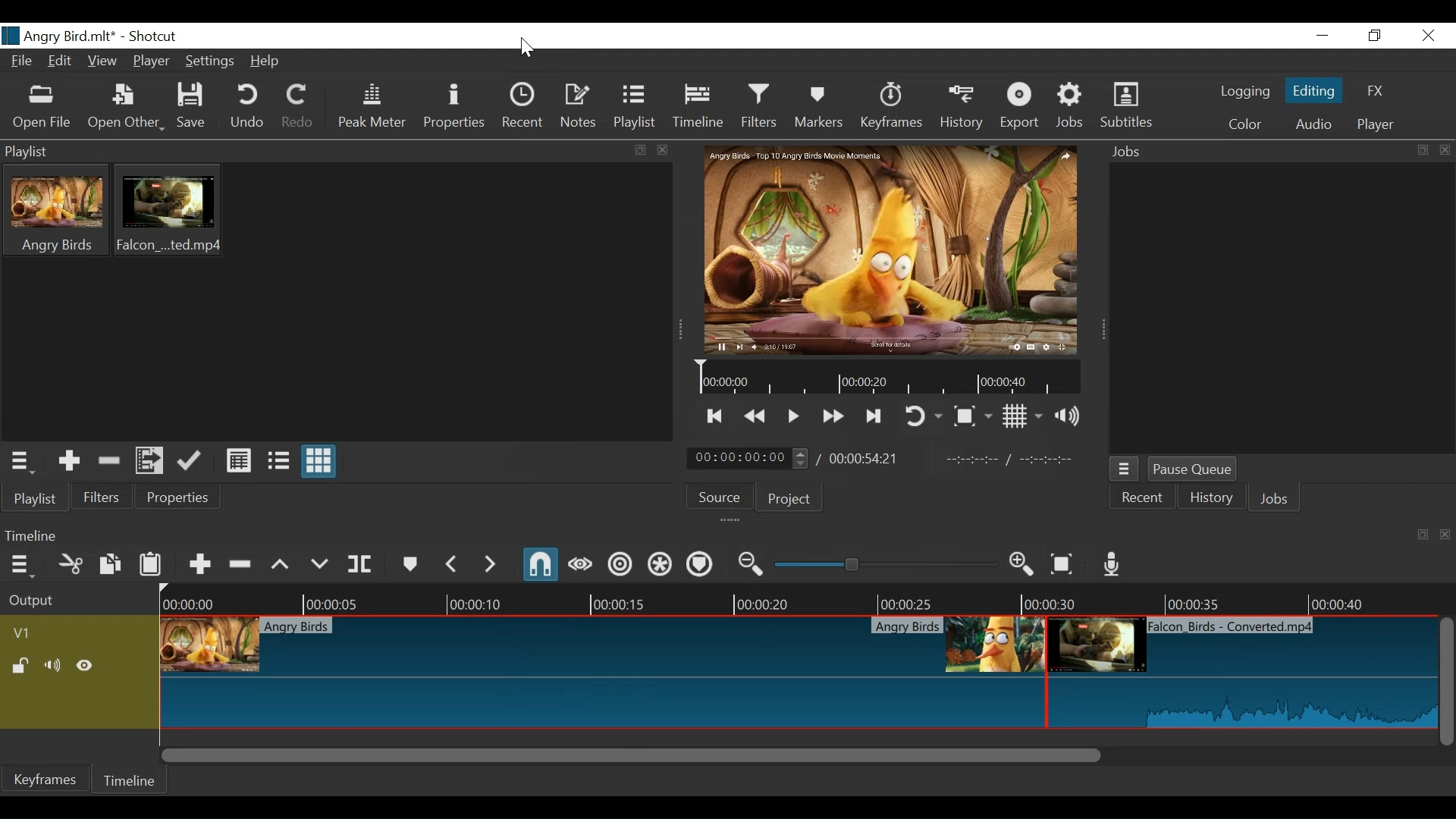  I want to click on Project Nmae, so click(58, 35).